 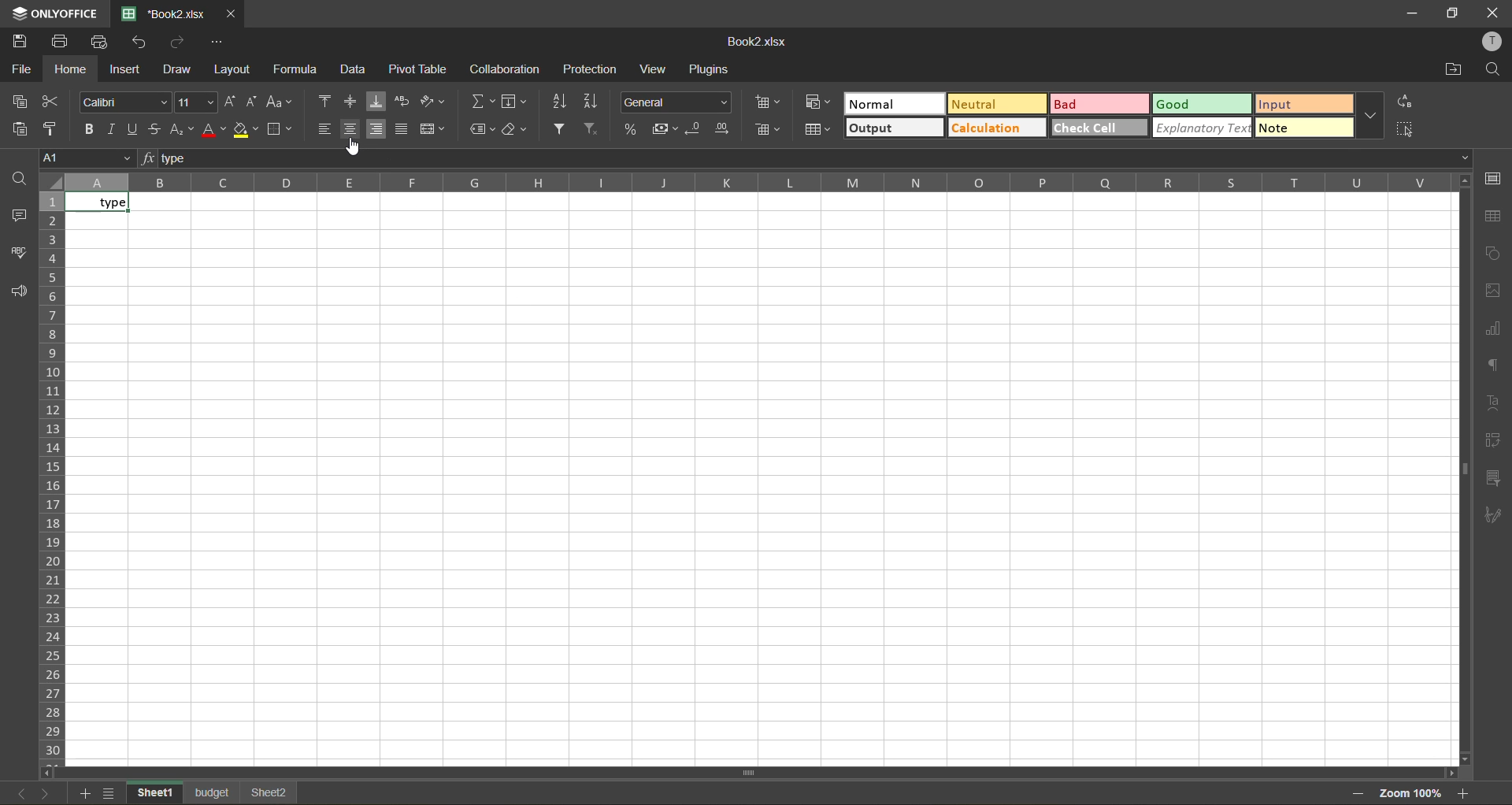 What do you see at coordinates (1493, 218) in the screenshot?
I see `table` at bounding box center [1493, 218].